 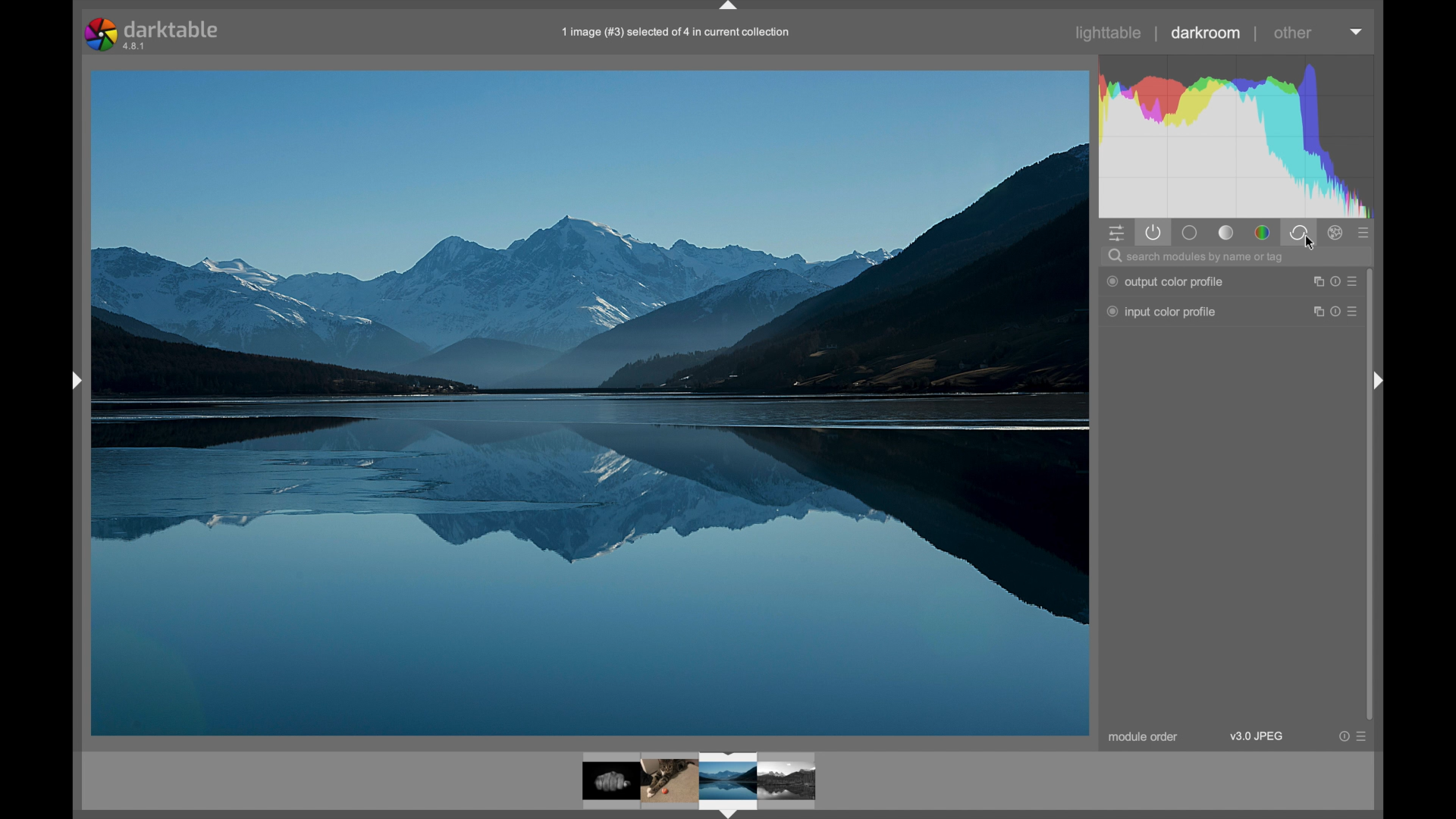 I want to click on quick  access  panel, so click(x=1118, y=233).